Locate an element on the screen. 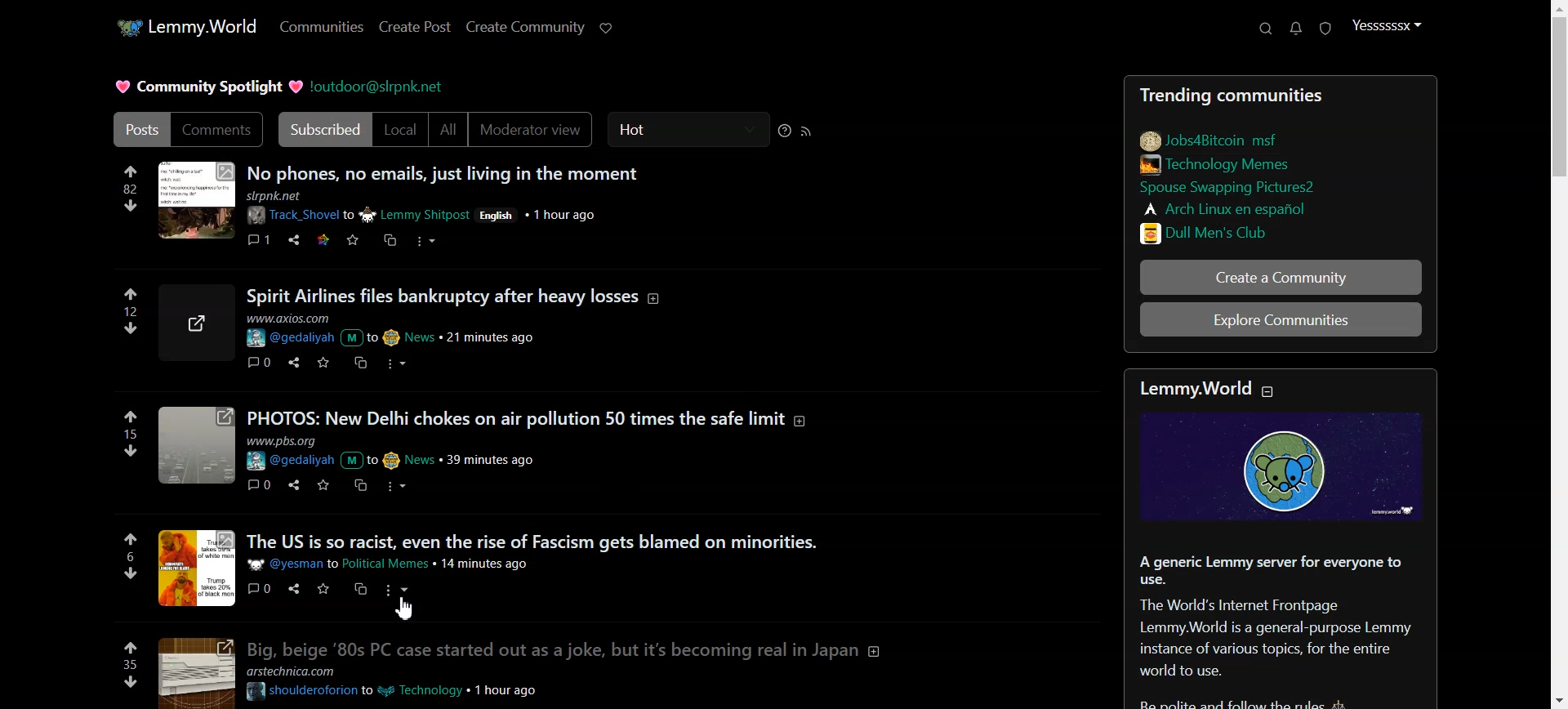 Image resolution: width=1568 pixels, height=709 pixels. link is located at coordinates (1222, 163).